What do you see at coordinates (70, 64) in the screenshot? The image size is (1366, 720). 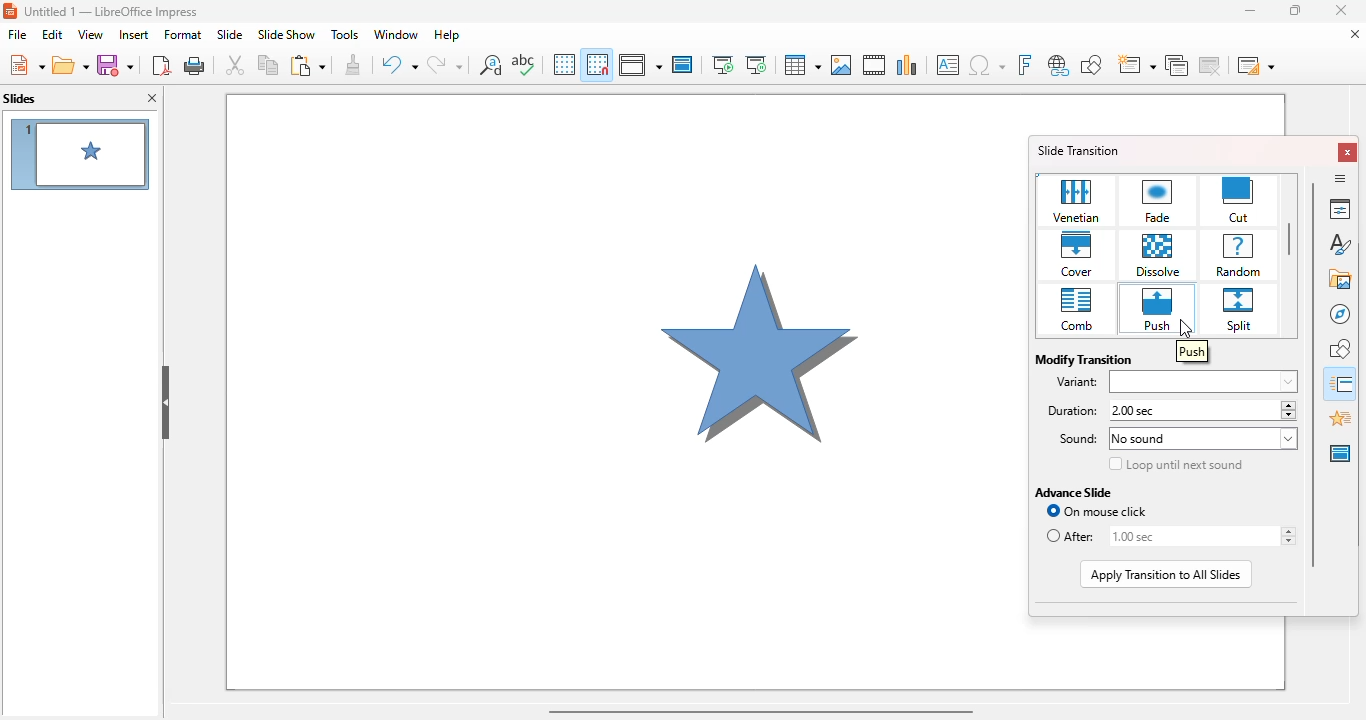 I see `open` at bounding box center [70, 64].